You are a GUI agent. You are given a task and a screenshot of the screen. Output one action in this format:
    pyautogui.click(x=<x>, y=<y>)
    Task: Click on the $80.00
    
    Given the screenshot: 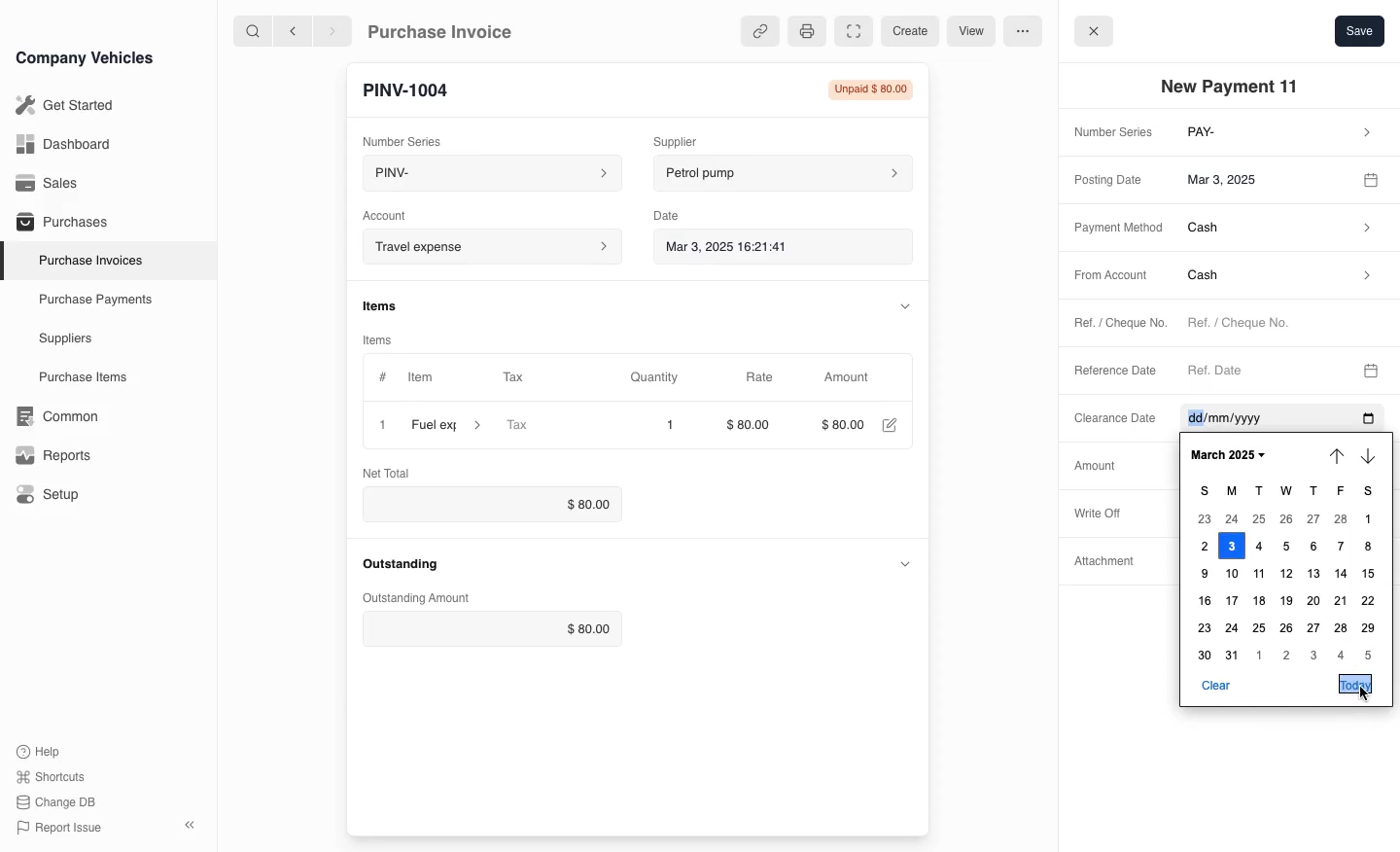 What is the action you would take?
    pyautogui.click(x=495, y=629)
    